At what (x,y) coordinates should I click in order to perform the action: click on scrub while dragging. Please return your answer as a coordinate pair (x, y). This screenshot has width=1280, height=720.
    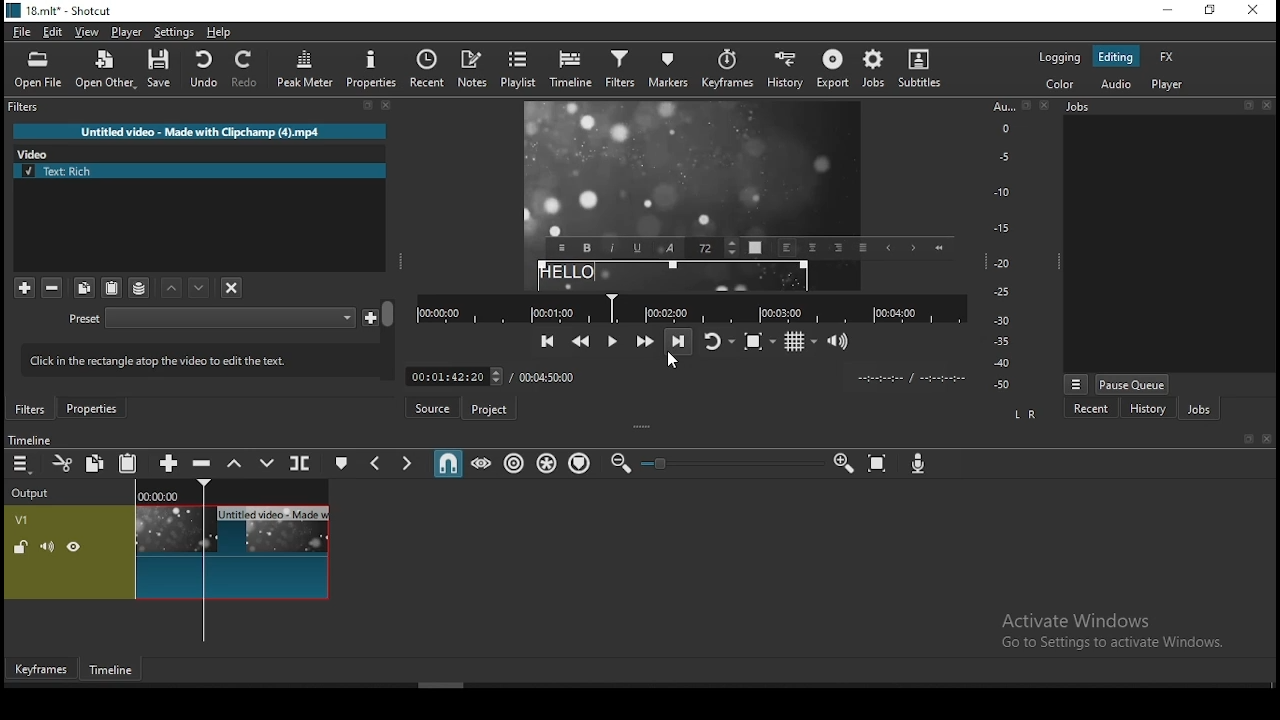
    Looking at the image, I should click on (482, 462).